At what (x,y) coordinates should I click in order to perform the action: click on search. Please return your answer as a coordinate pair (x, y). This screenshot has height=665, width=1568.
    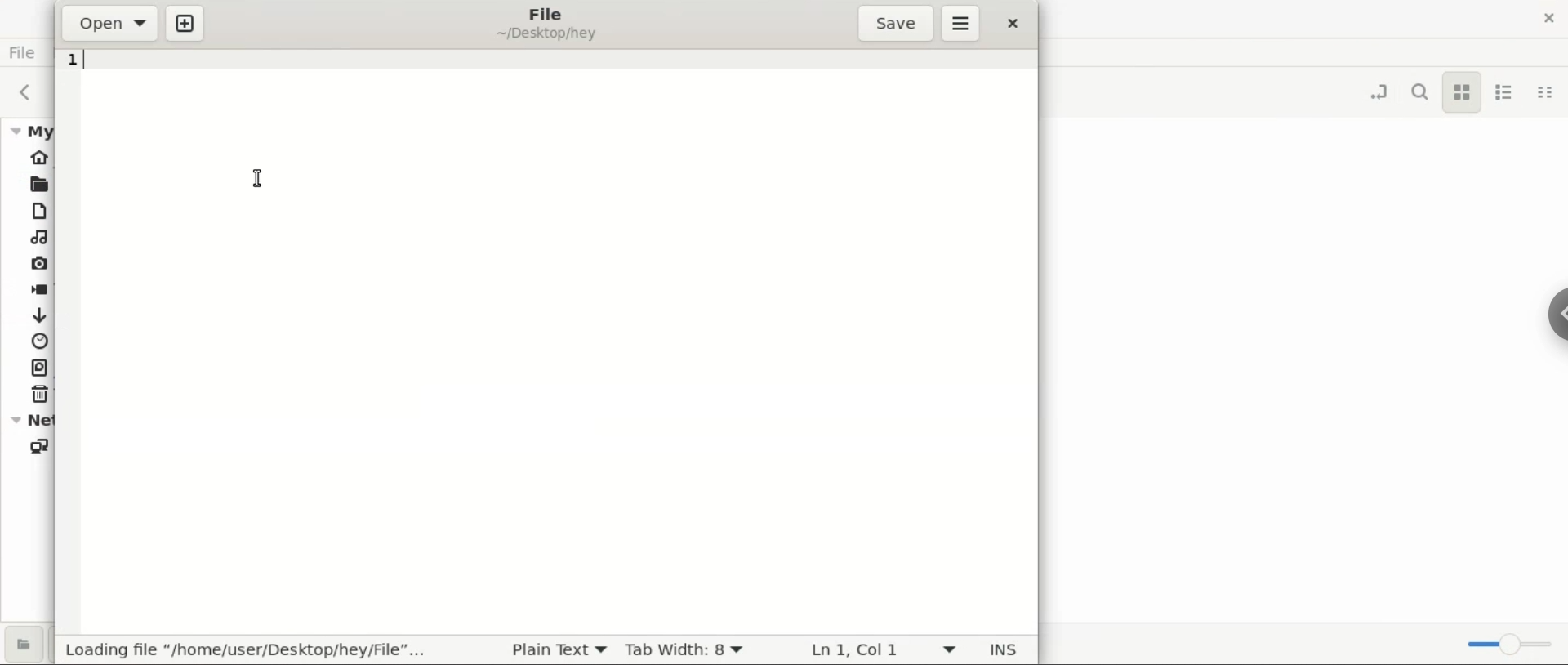
    Looking at the image, I should click on (1423, 91).